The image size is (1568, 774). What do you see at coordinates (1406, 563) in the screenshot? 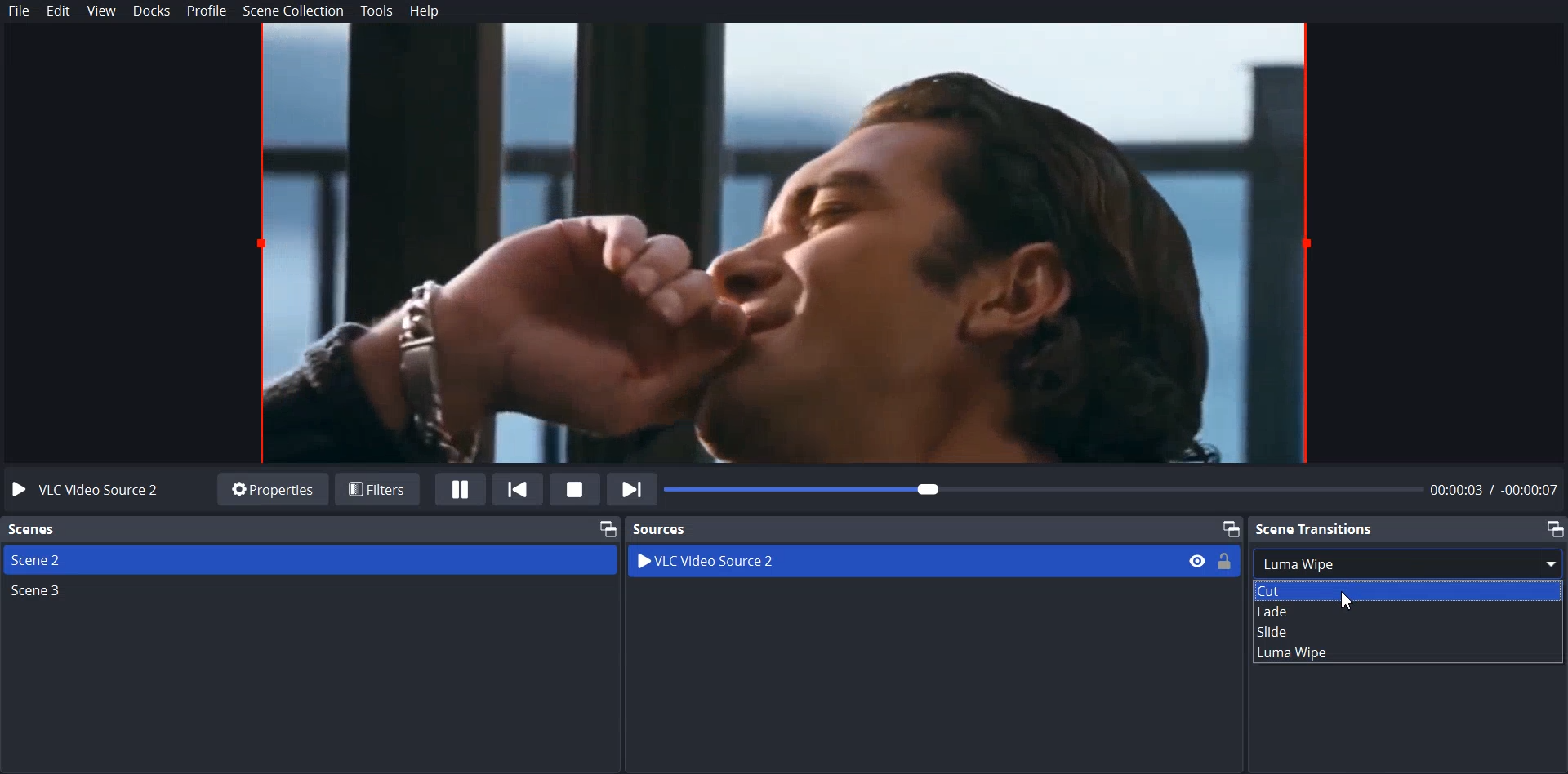
I see `Luma Wipe` at bounding box center [1406, 563].